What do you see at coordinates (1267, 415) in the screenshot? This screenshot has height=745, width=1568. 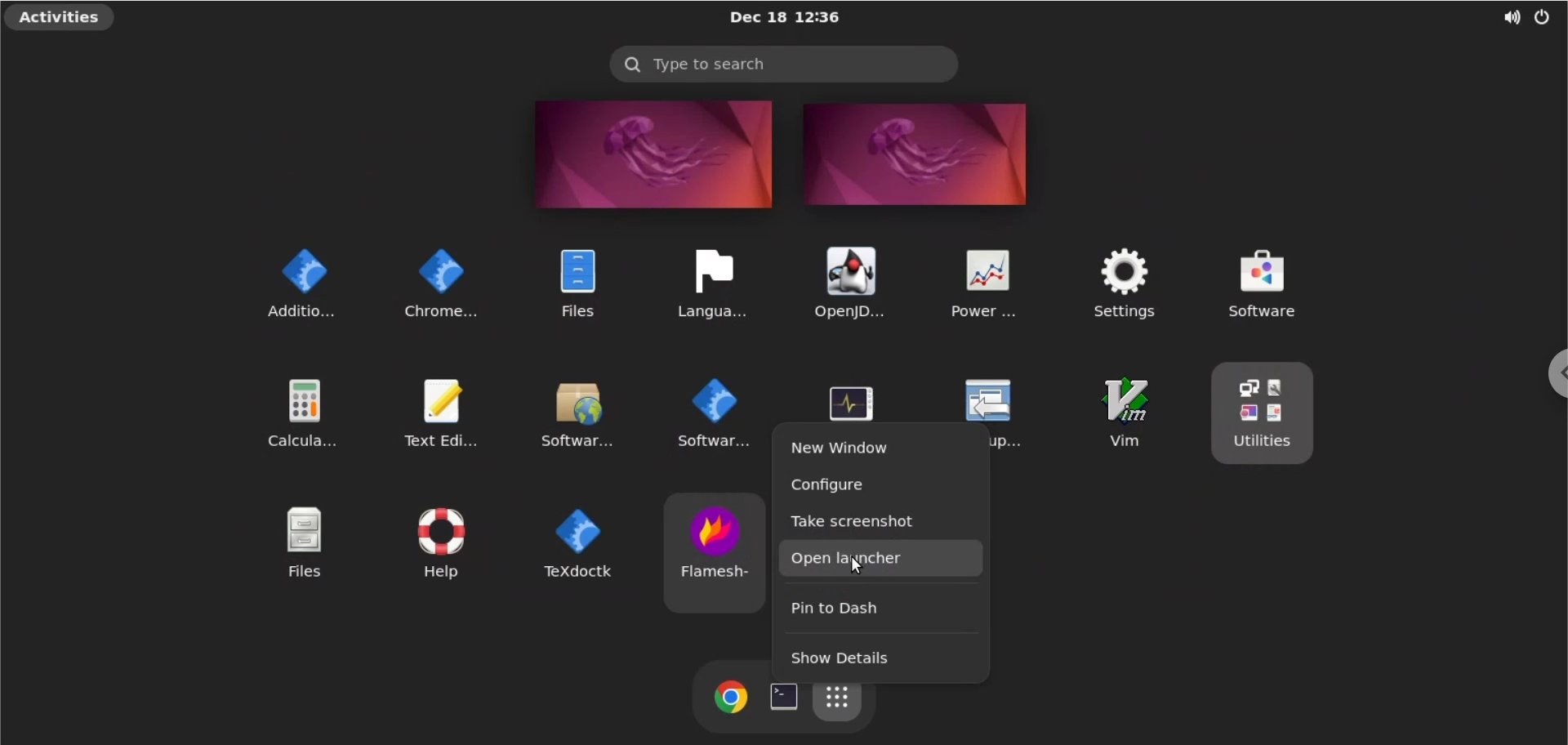 I see `utilities` at bounding box center [1267, 415].